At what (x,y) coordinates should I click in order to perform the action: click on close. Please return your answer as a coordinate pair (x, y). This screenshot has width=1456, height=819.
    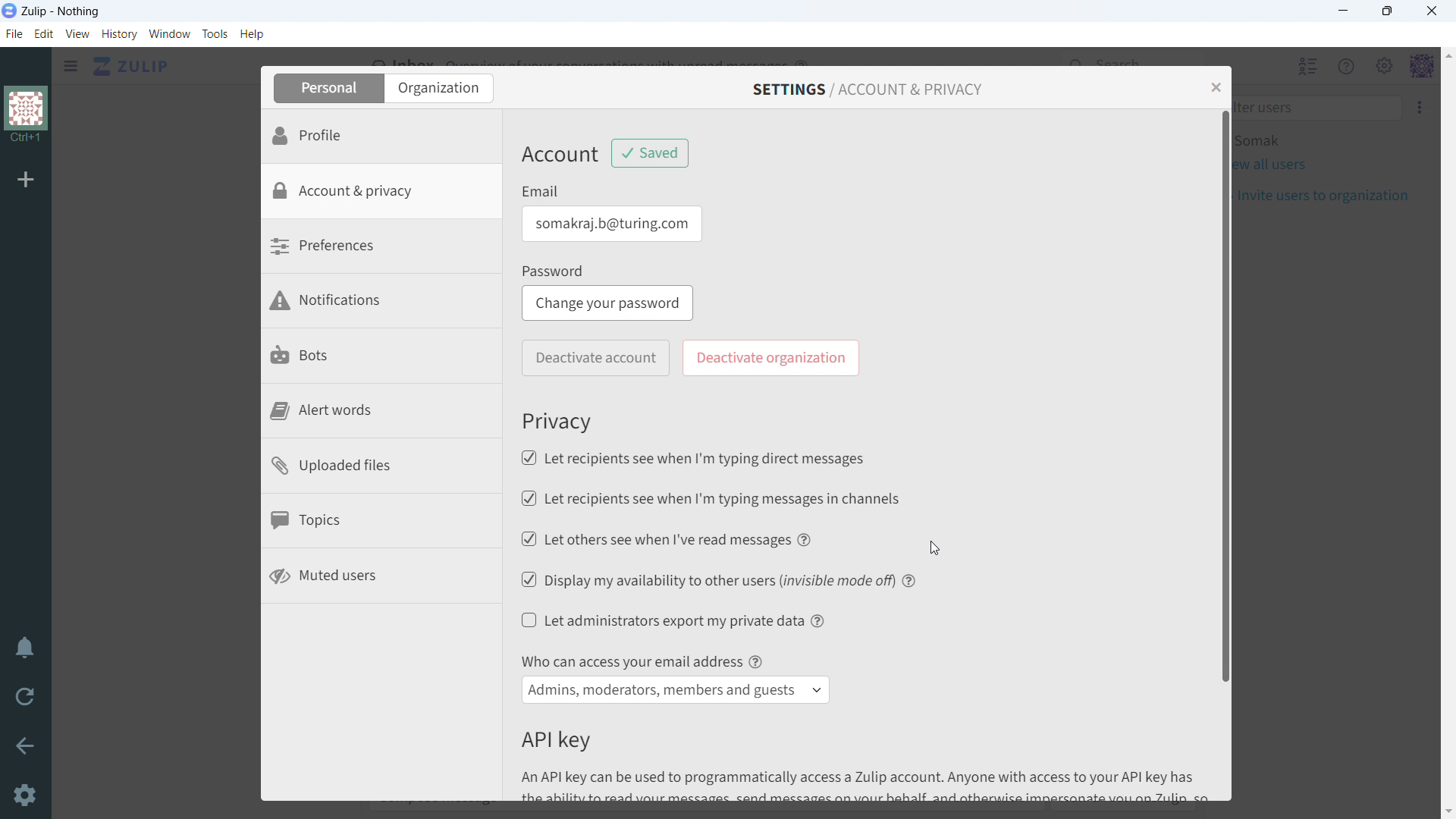
    Looking at the image, I should click on (1218, 87).